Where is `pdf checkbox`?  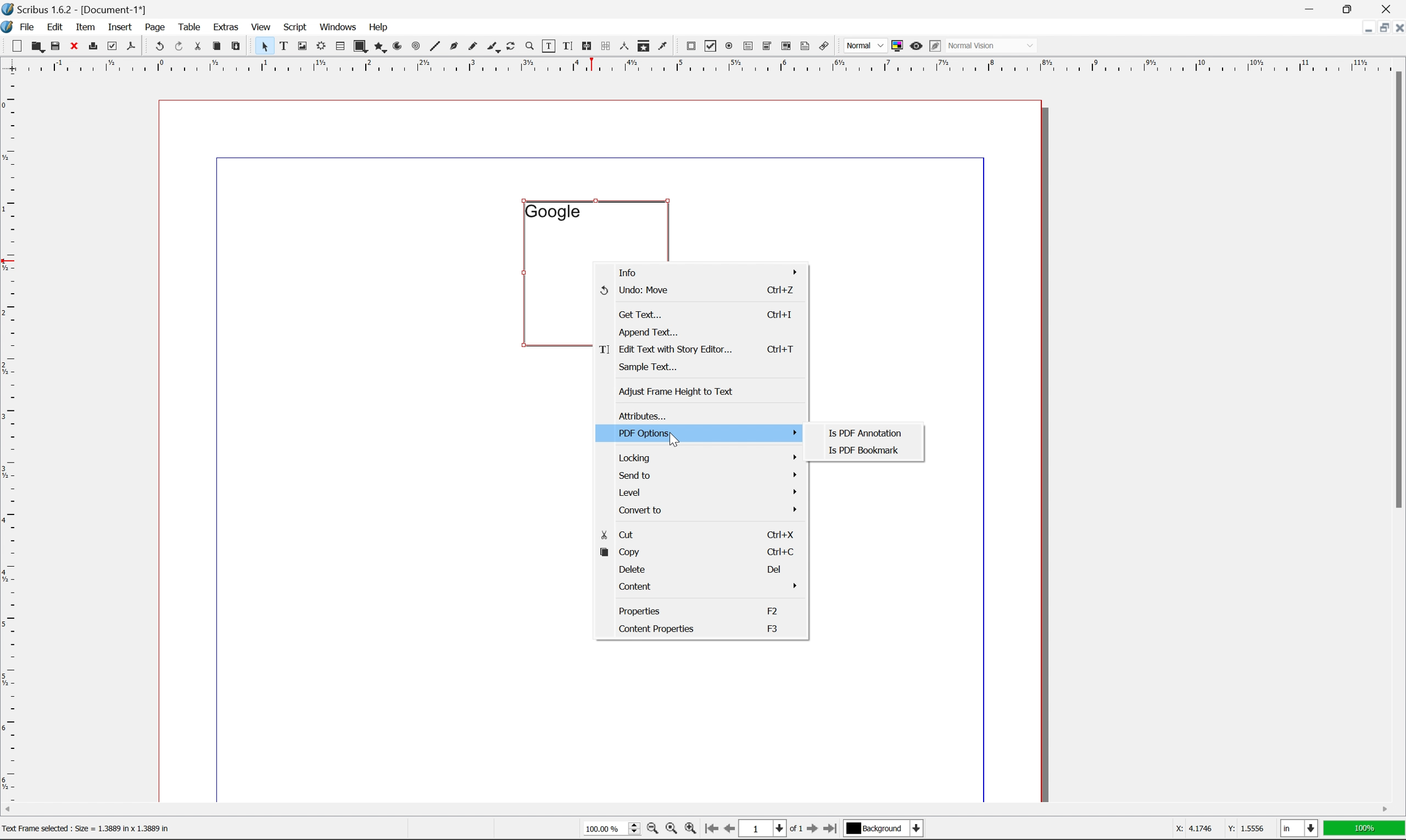
pdf checkbox is located at coordinates (708, 47).